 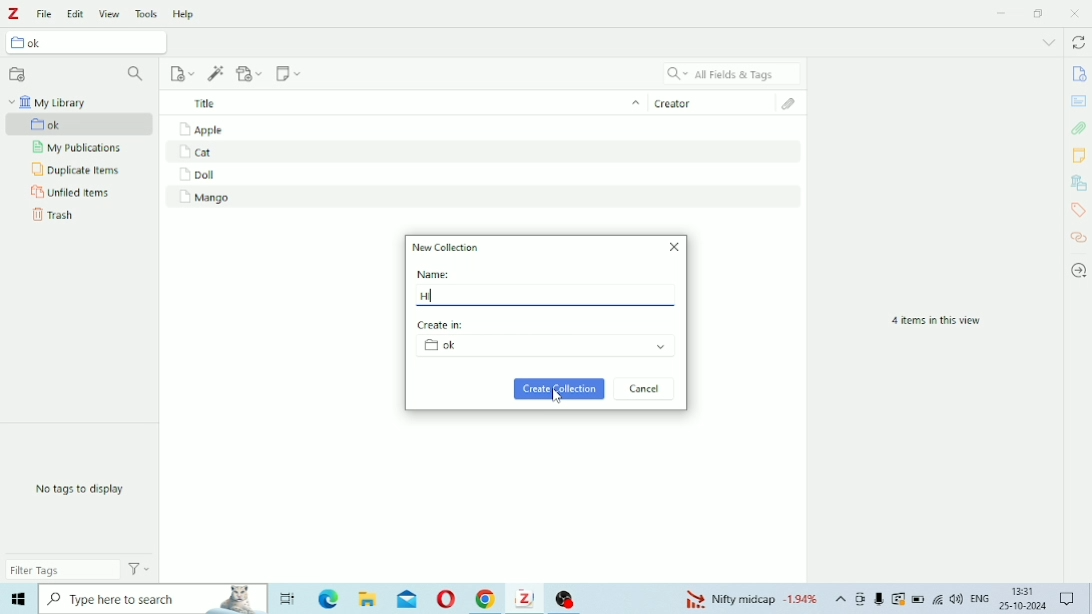 What do you see at coordinates (749, 598) in the screenshot?
I see `Nifty midcap -1.94%` at bounding box center [749, 598].